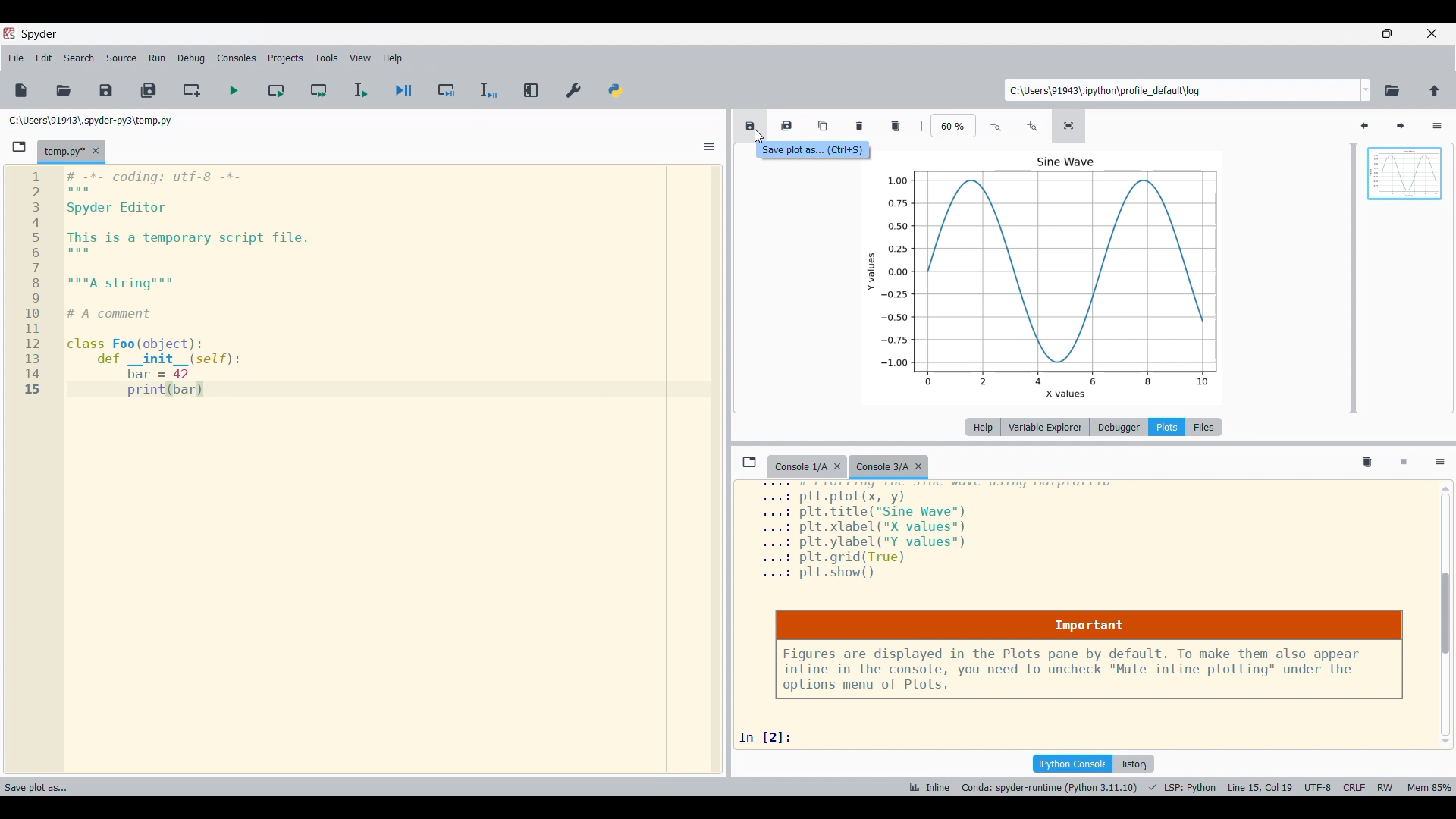  What do you see at coordinates (286, 58) in the screenshot?
I see `Projects menu` at bounding box center [286, 58].